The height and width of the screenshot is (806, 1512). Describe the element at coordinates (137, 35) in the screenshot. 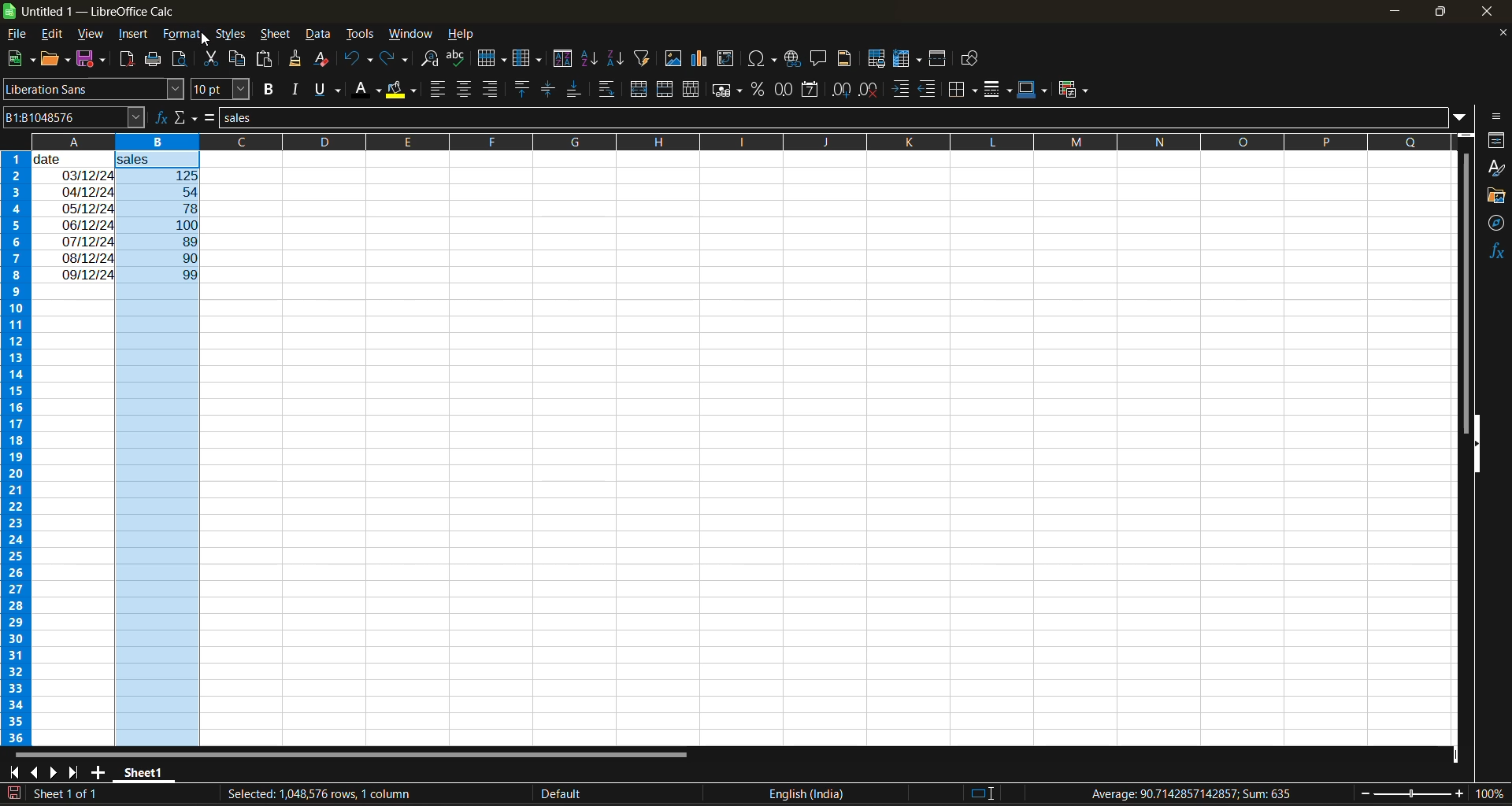

I see `insert` at that location.